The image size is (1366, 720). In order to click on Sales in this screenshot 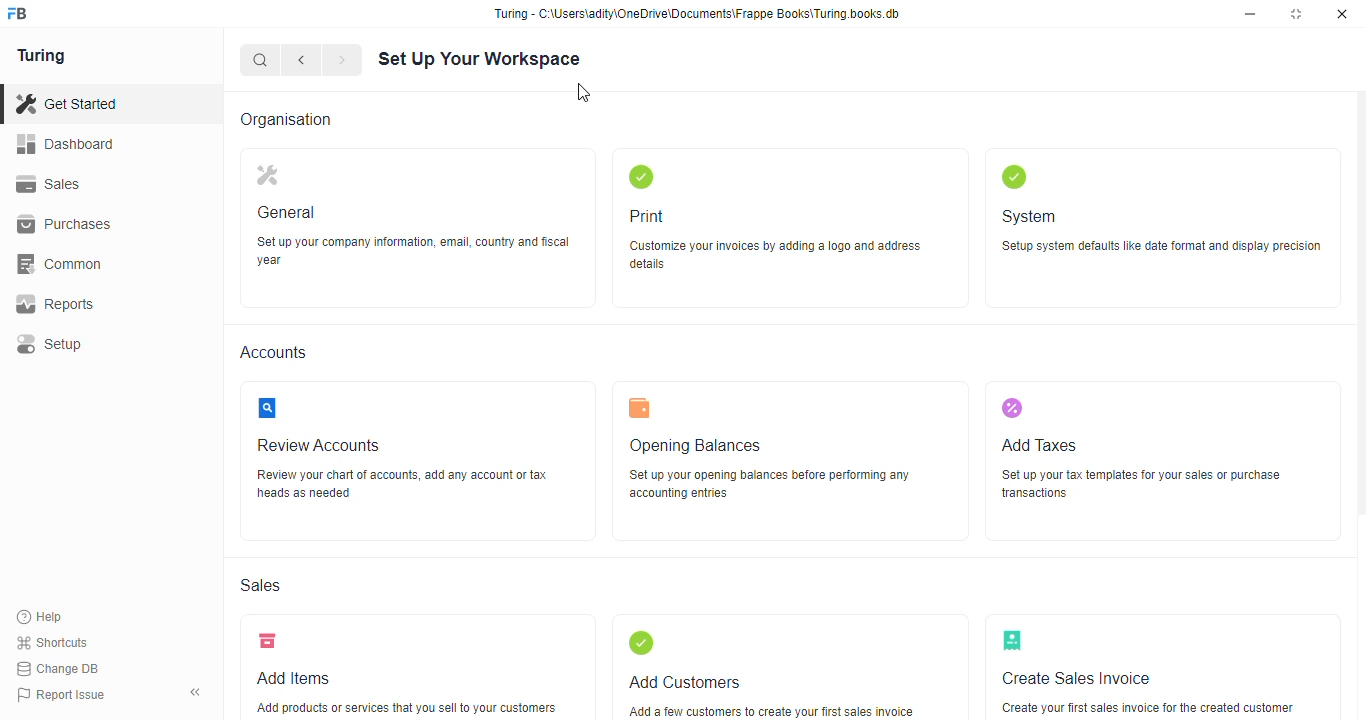, I will do `click(98, 182)`.